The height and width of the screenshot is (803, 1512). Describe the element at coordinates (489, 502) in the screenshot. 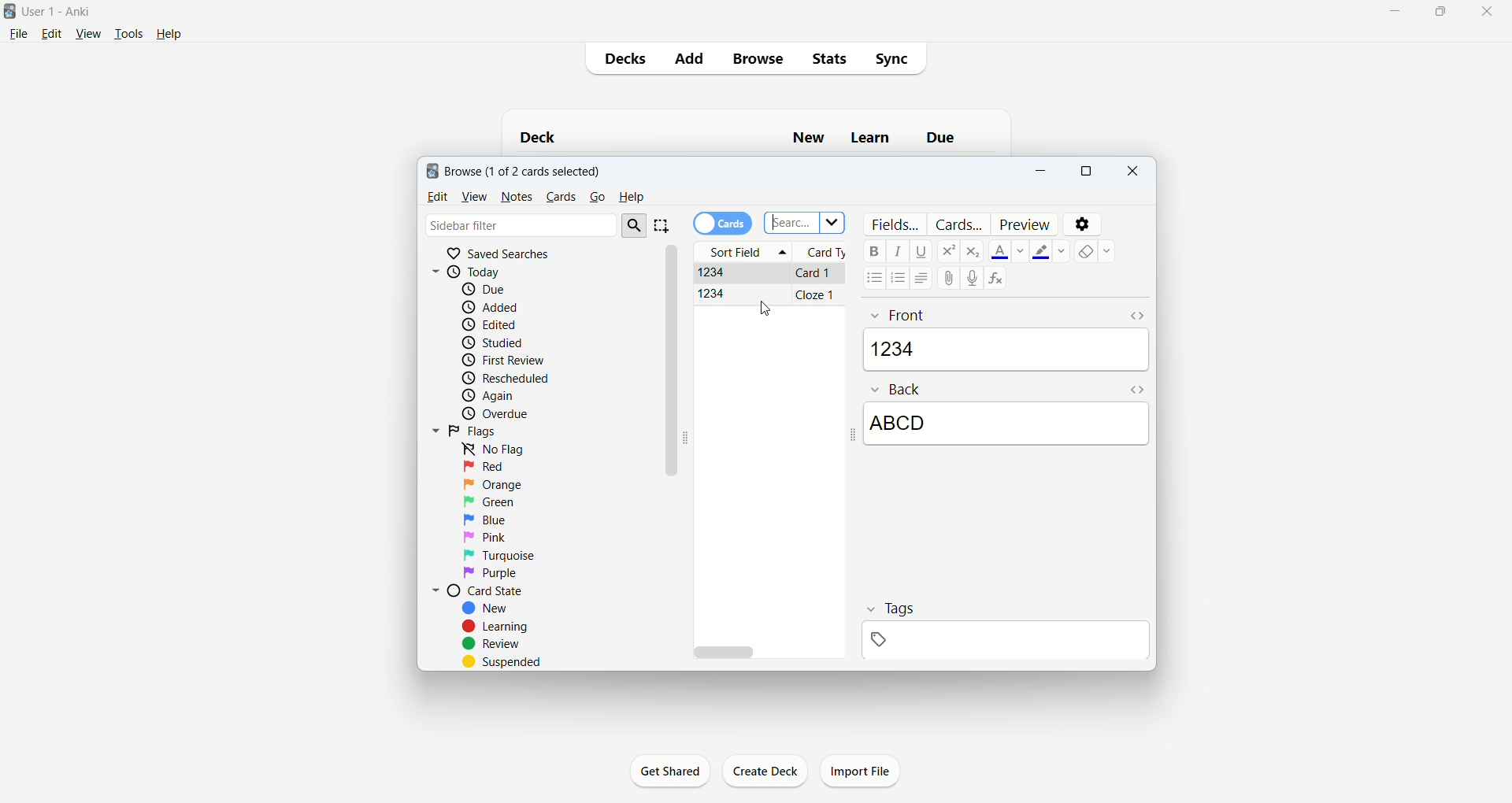

I see `green` at that location.